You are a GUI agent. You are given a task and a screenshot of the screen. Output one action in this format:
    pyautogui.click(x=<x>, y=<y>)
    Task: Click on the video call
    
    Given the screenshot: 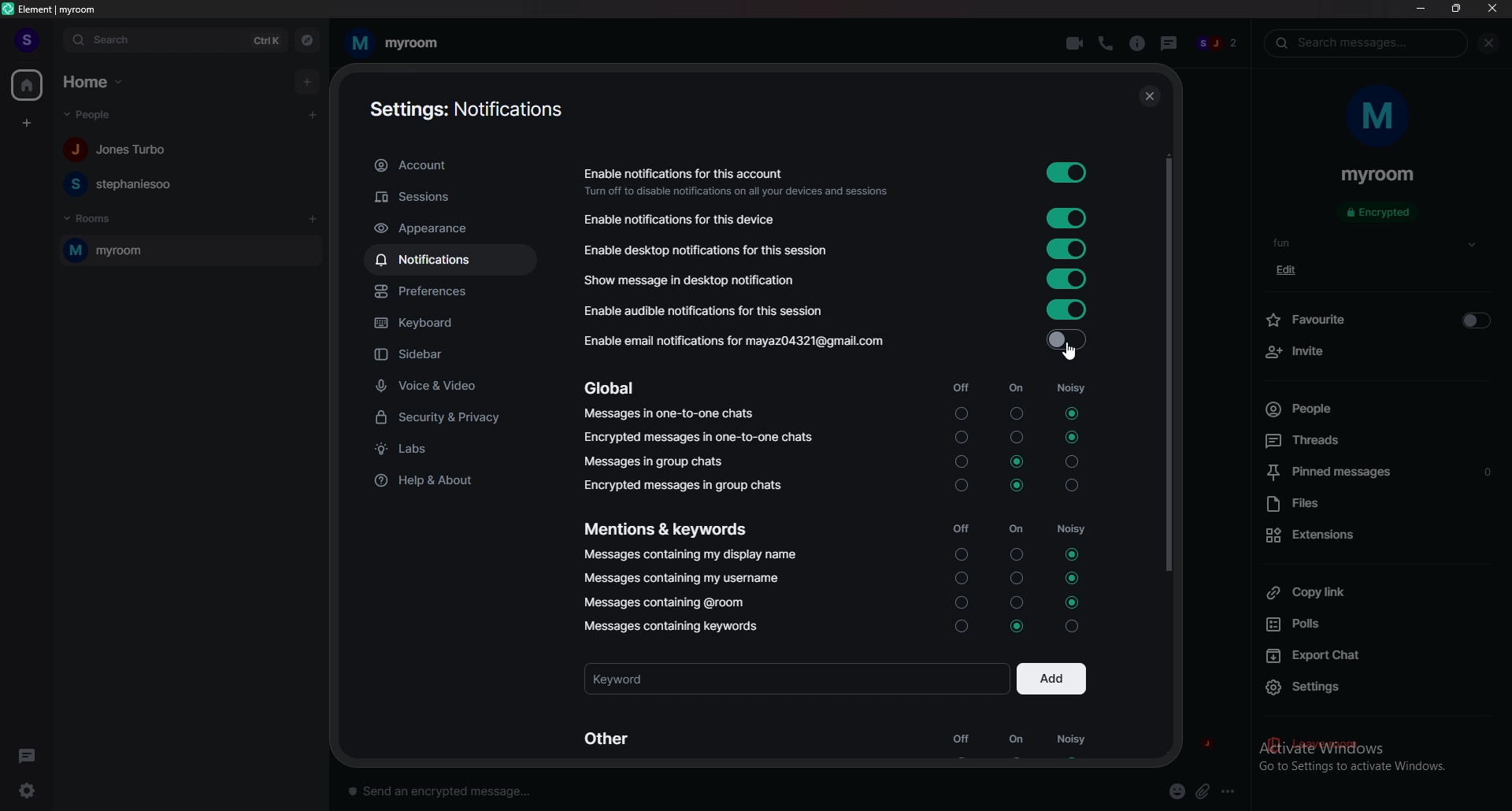 What is the action you would take?
    pyautogui.click(x=1076, y=42)
    